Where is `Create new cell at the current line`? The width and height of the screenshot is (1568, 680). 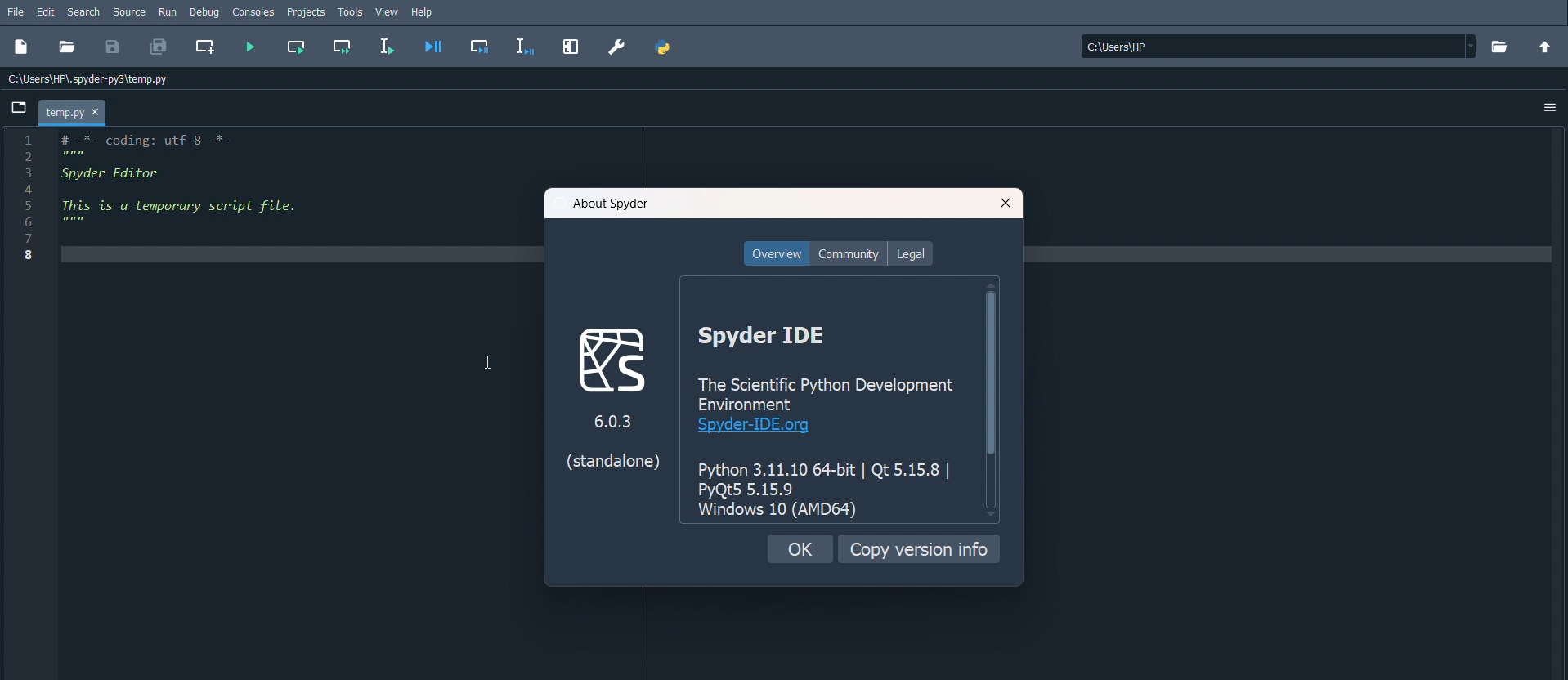
Create new cell at the current line is located at coordinates (204, 46).